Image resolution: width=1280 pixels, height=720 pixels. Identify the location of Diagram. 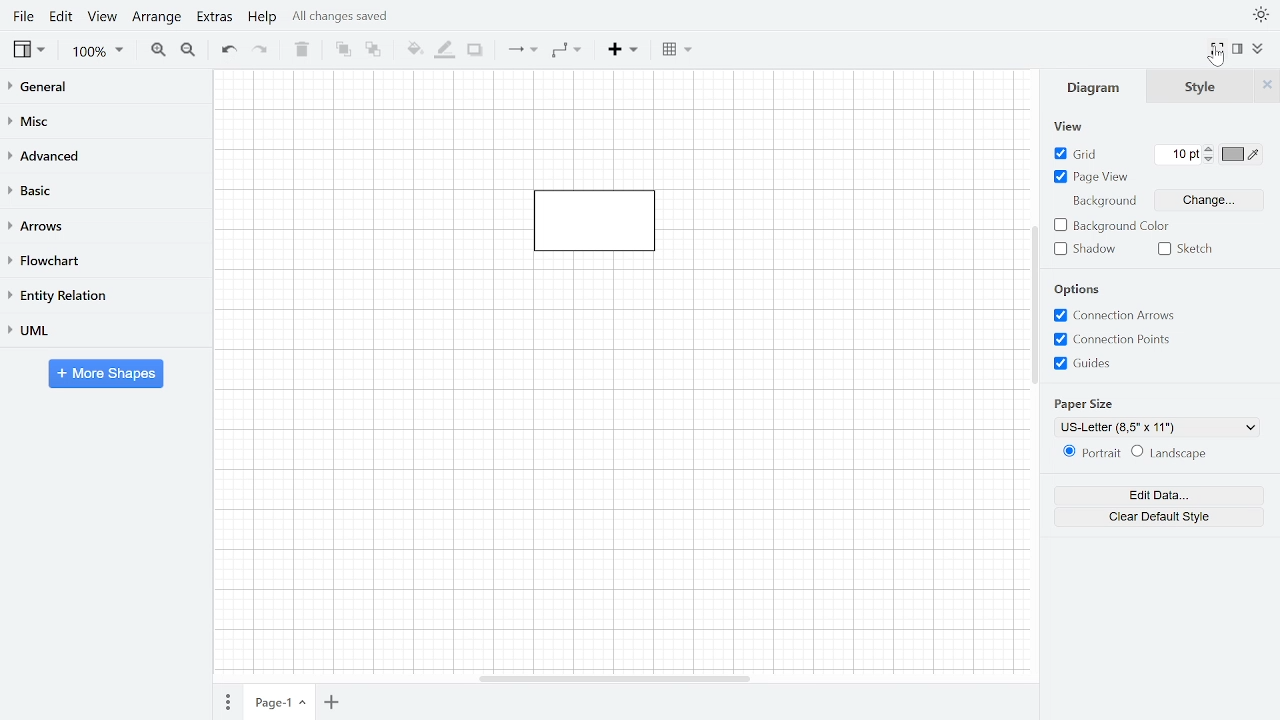
(1096, 86).